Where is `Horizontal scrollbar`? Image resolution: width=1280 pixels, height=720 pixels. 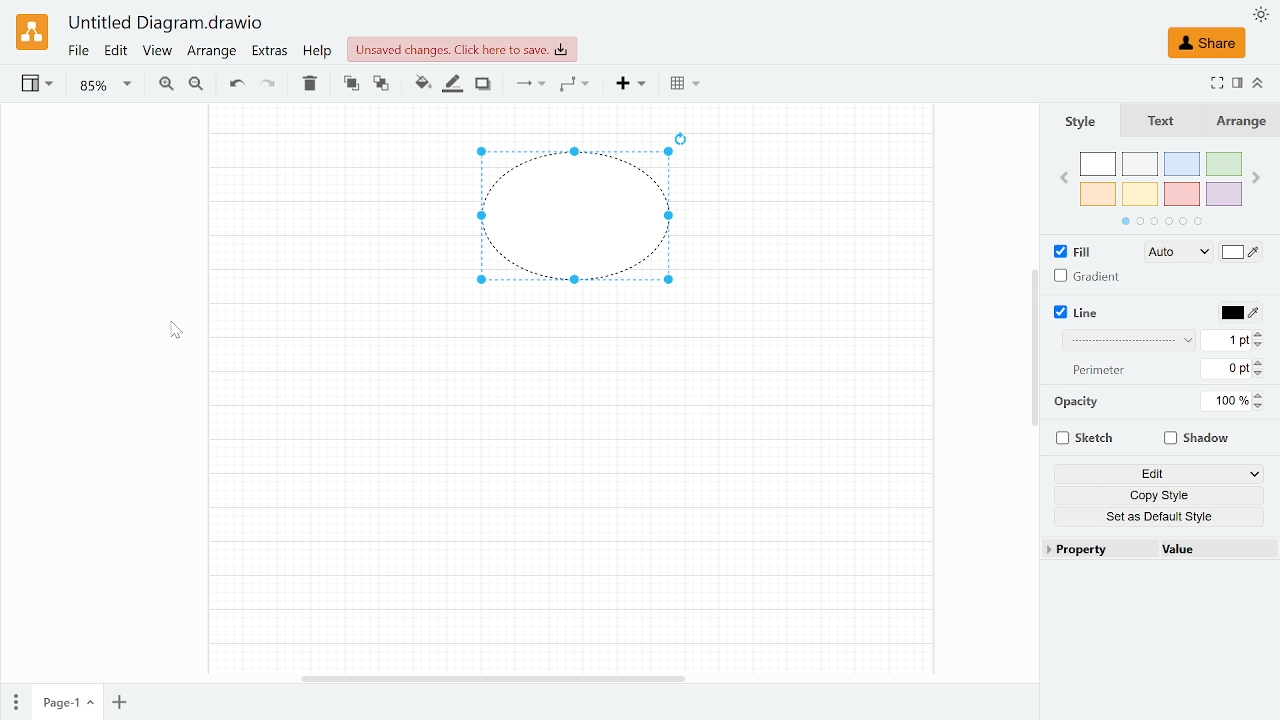 Horizontal scrollbar is located at coordinates (490, 678).